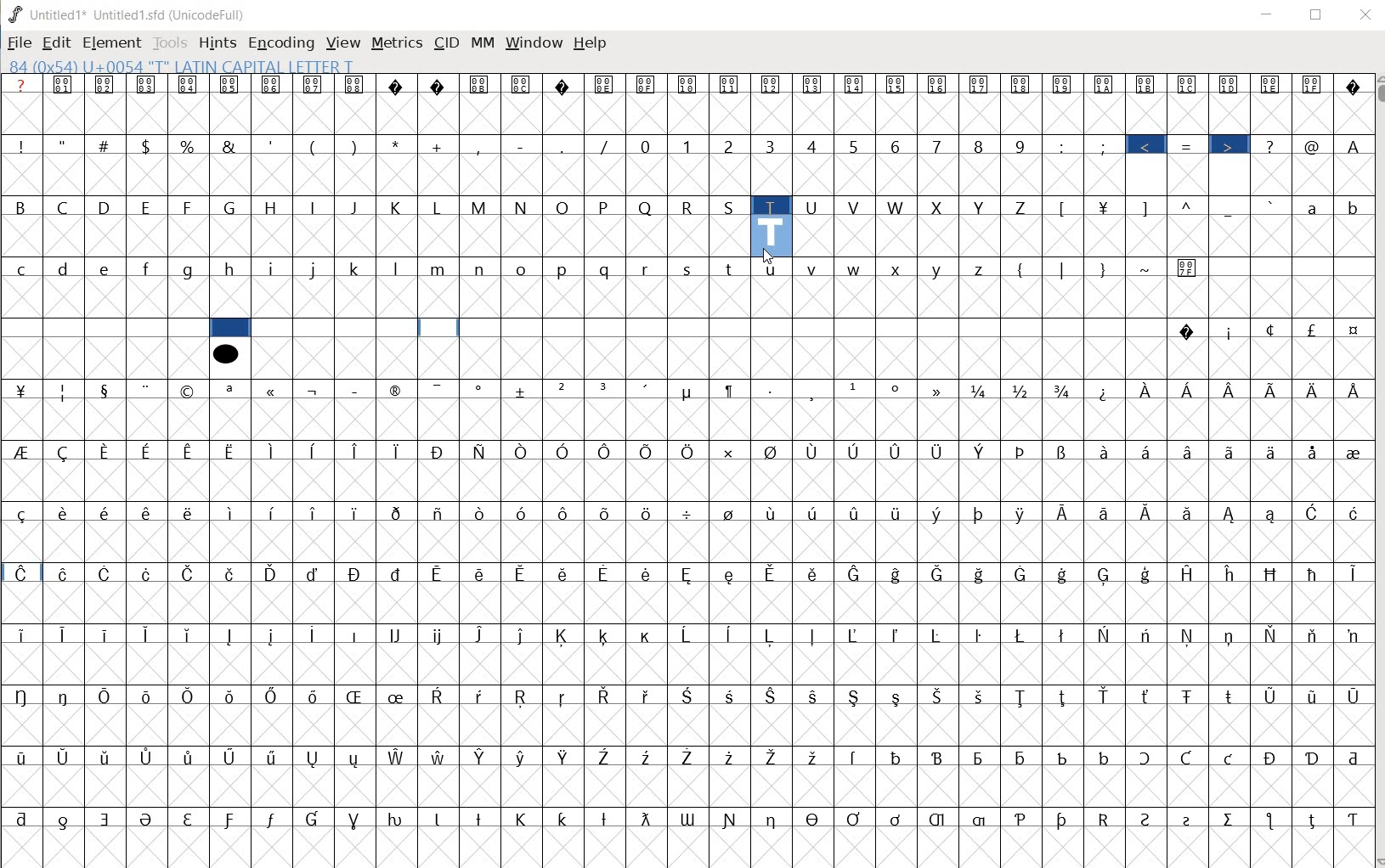 This screenshot has height=868, width=1385. Describe the element at coordinates (233, 697) in the screenshot. I see `Symbol` at that location.